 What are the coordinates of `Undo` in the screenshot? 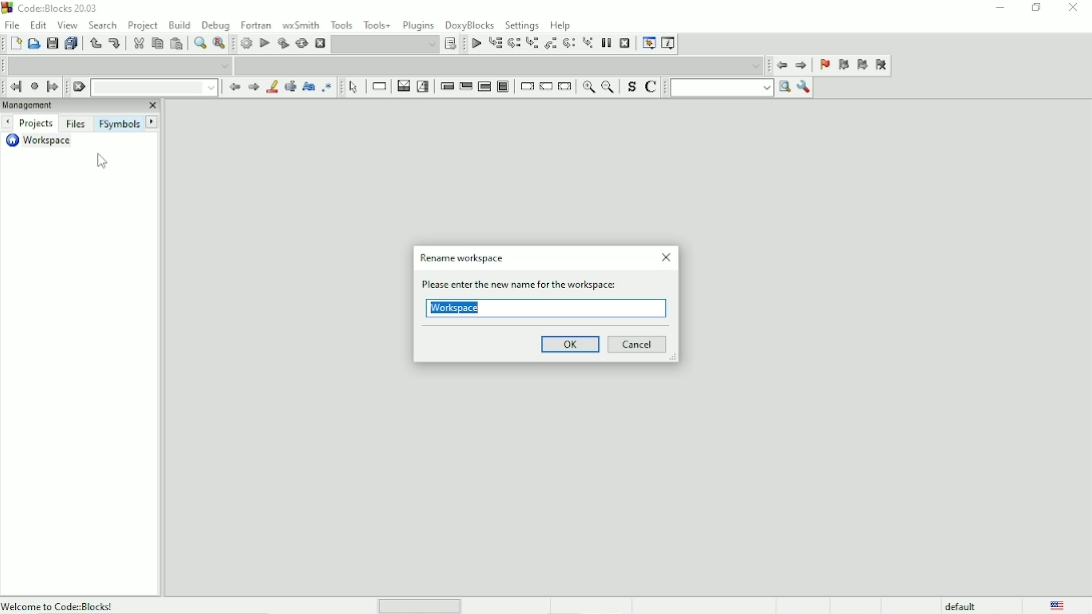 It's located at (93, 43).